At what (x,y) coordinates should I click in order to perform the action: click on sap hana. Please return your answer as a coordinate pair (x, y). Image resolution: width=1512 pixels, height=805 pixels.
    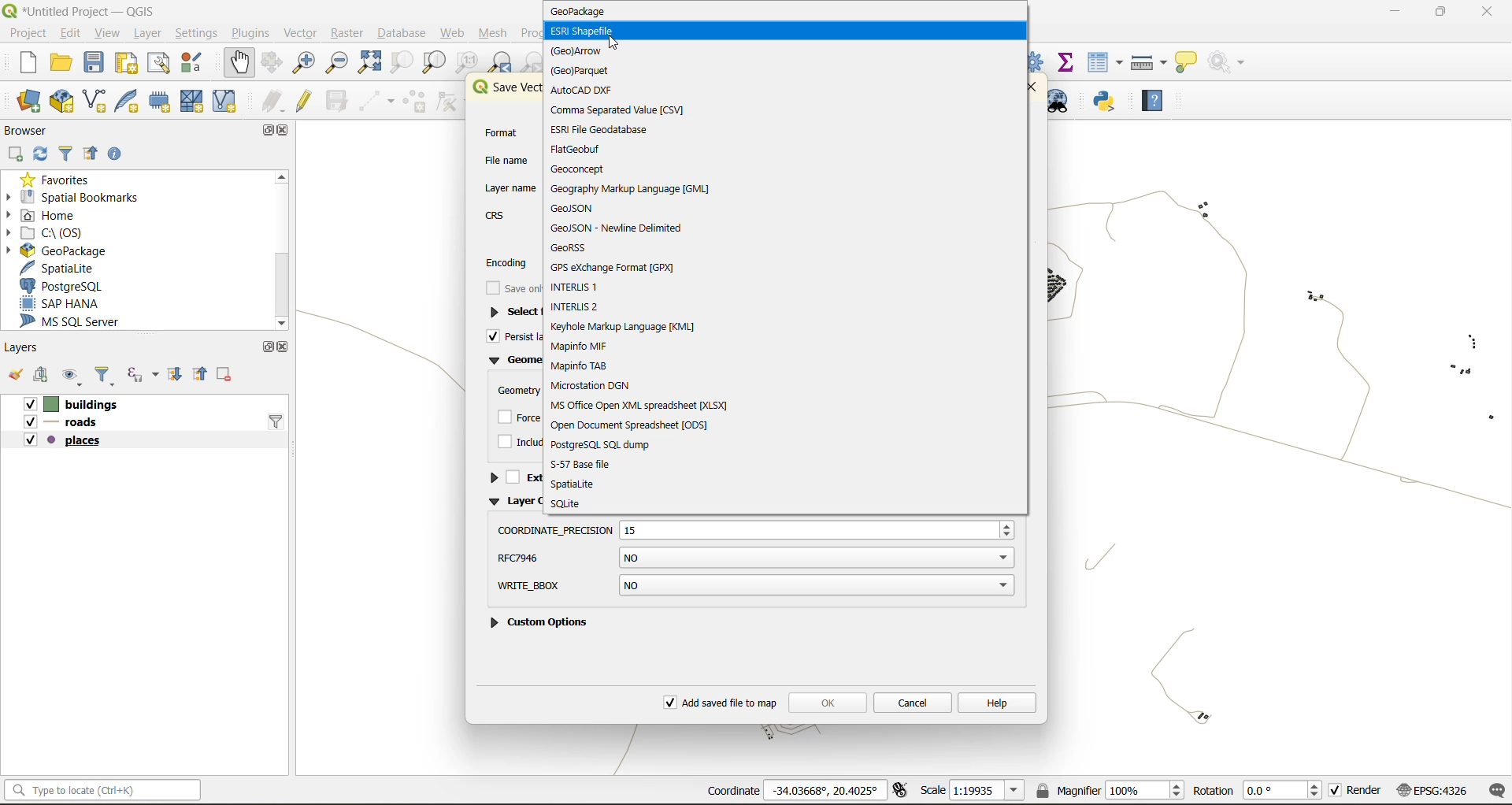
    Looking at the image, I should click on (65, 304).